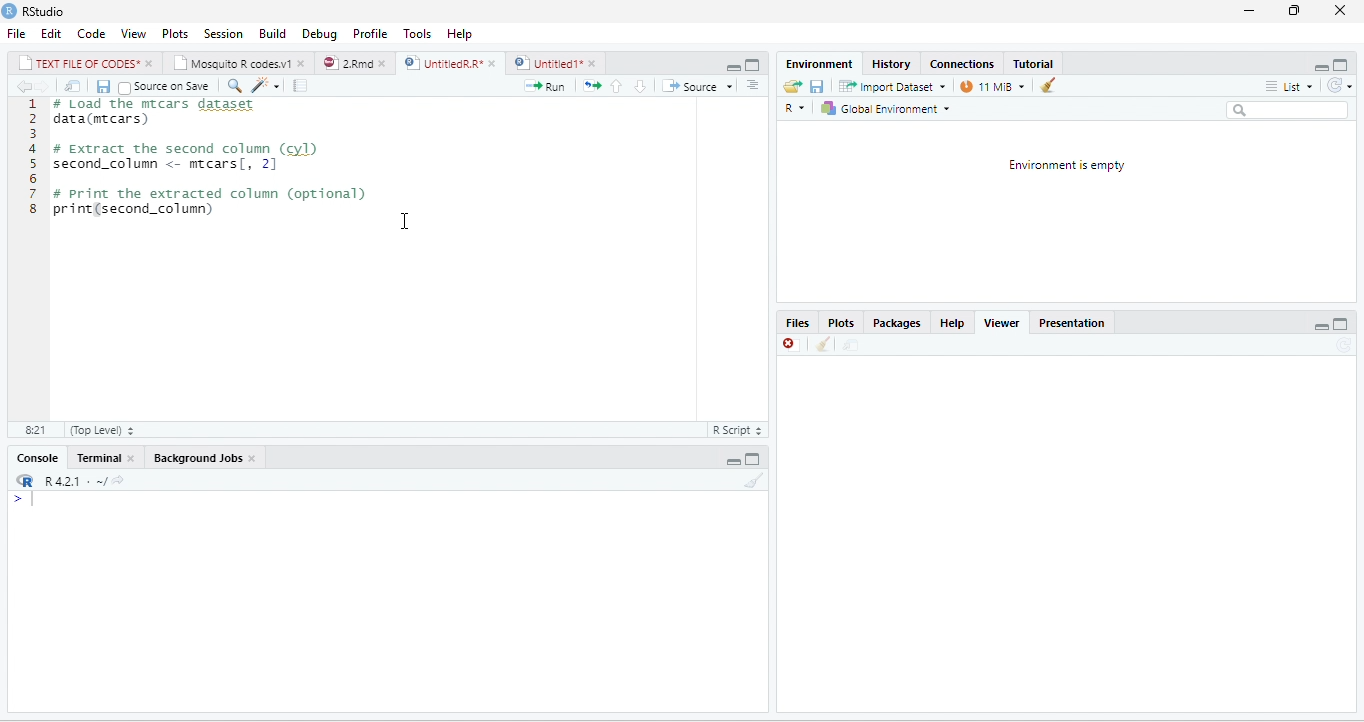 Image resolution: width=1364 pixels, height=722 pixels. I want to click on close, so click(304, 63).